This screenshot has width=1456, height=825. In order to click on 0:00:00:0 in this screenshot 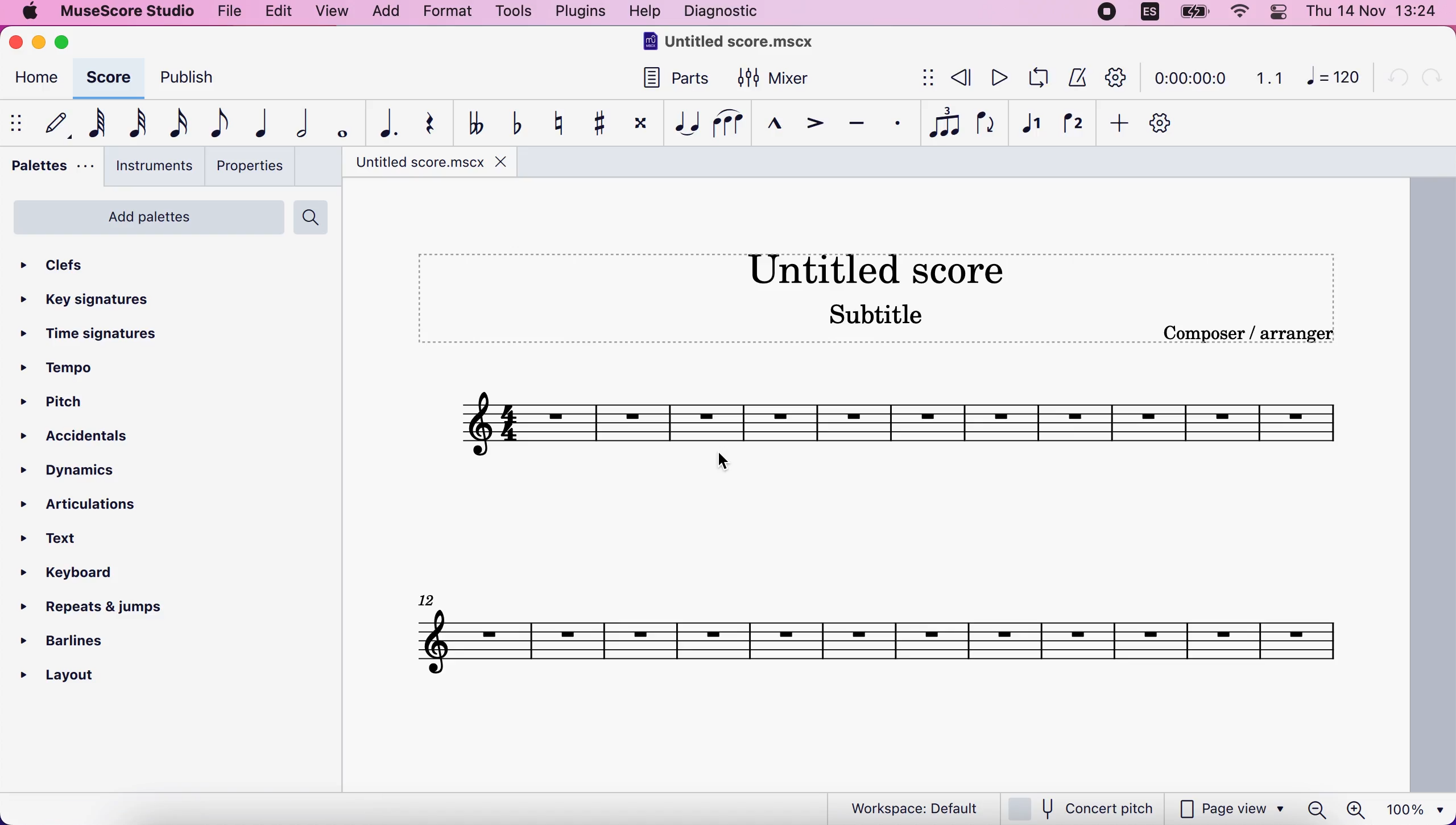, I will do `click(1198, 83)`.